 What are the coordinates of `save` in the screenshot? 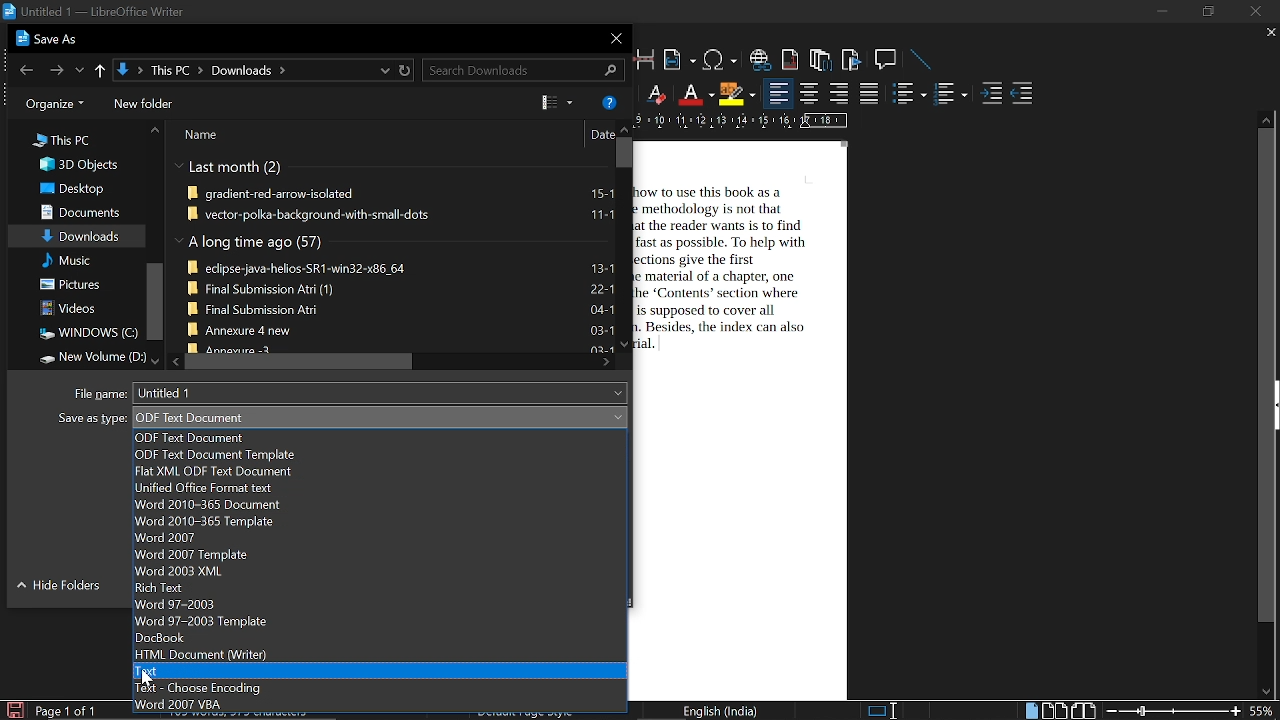 It's located at (14, 709).